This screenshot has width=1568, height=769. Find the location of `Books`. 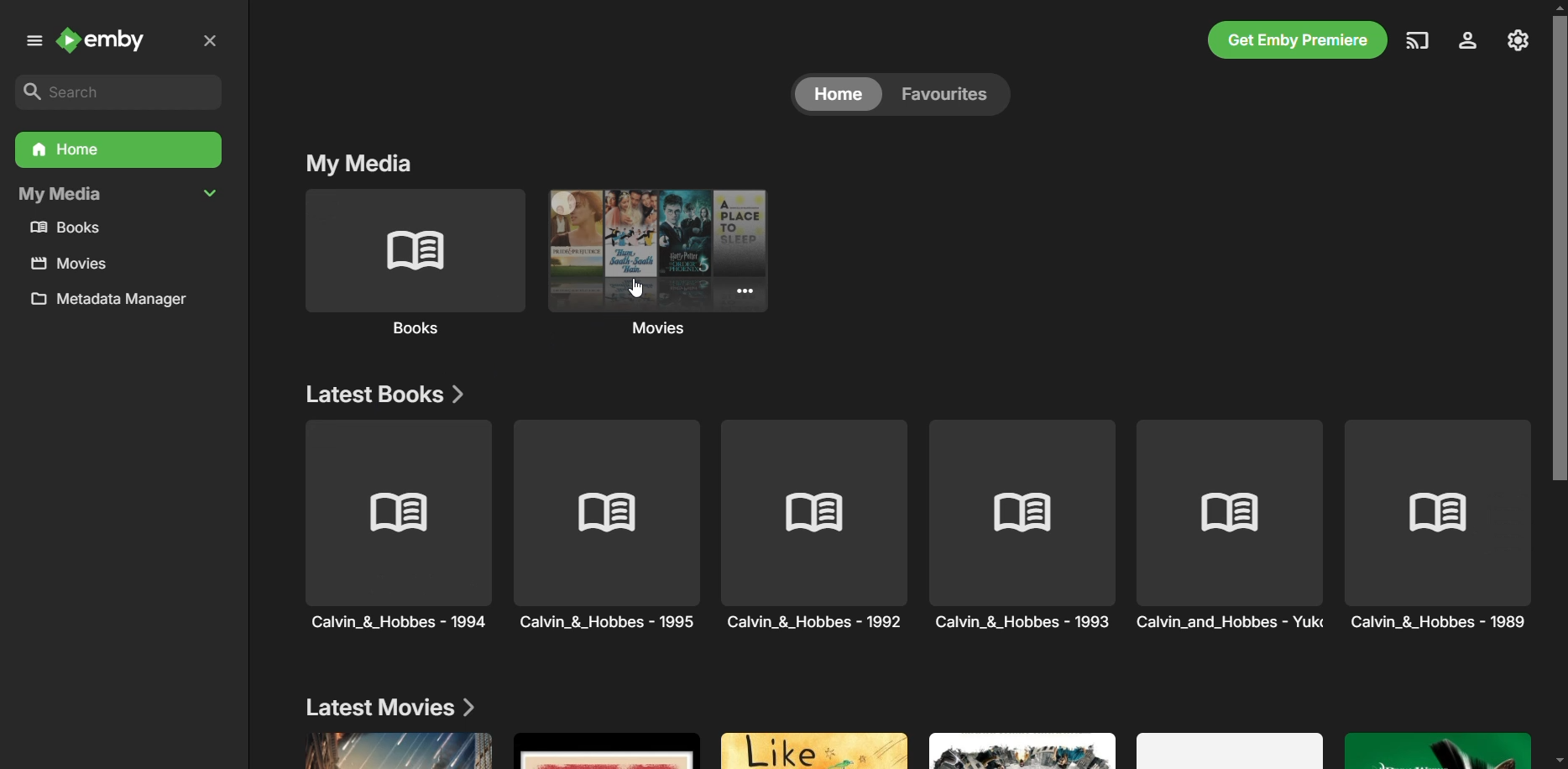

Books is located at coordinates (411, 263).